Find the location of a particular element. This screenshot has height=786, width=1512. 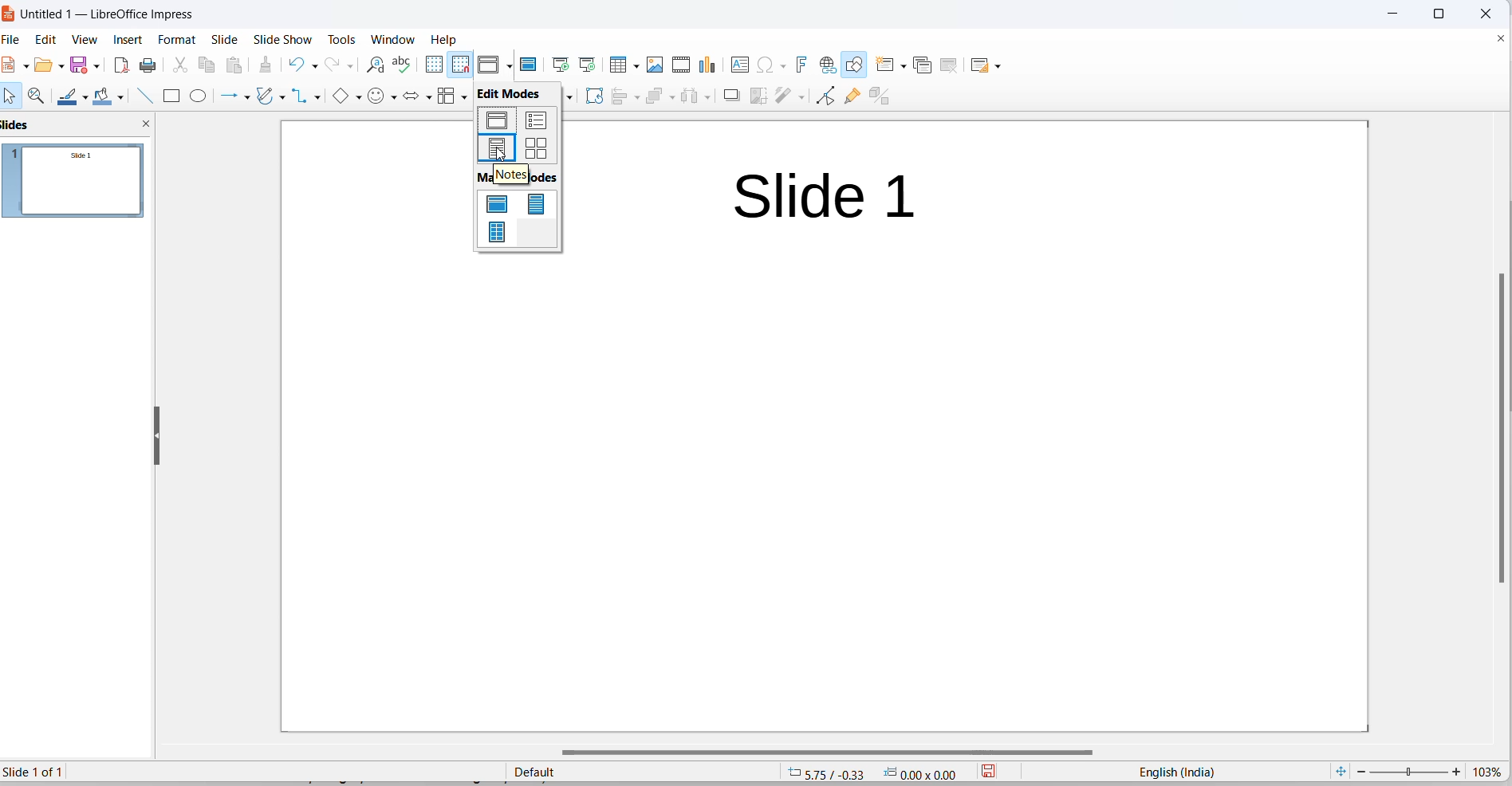

cut is located at coordinates (180, 65).